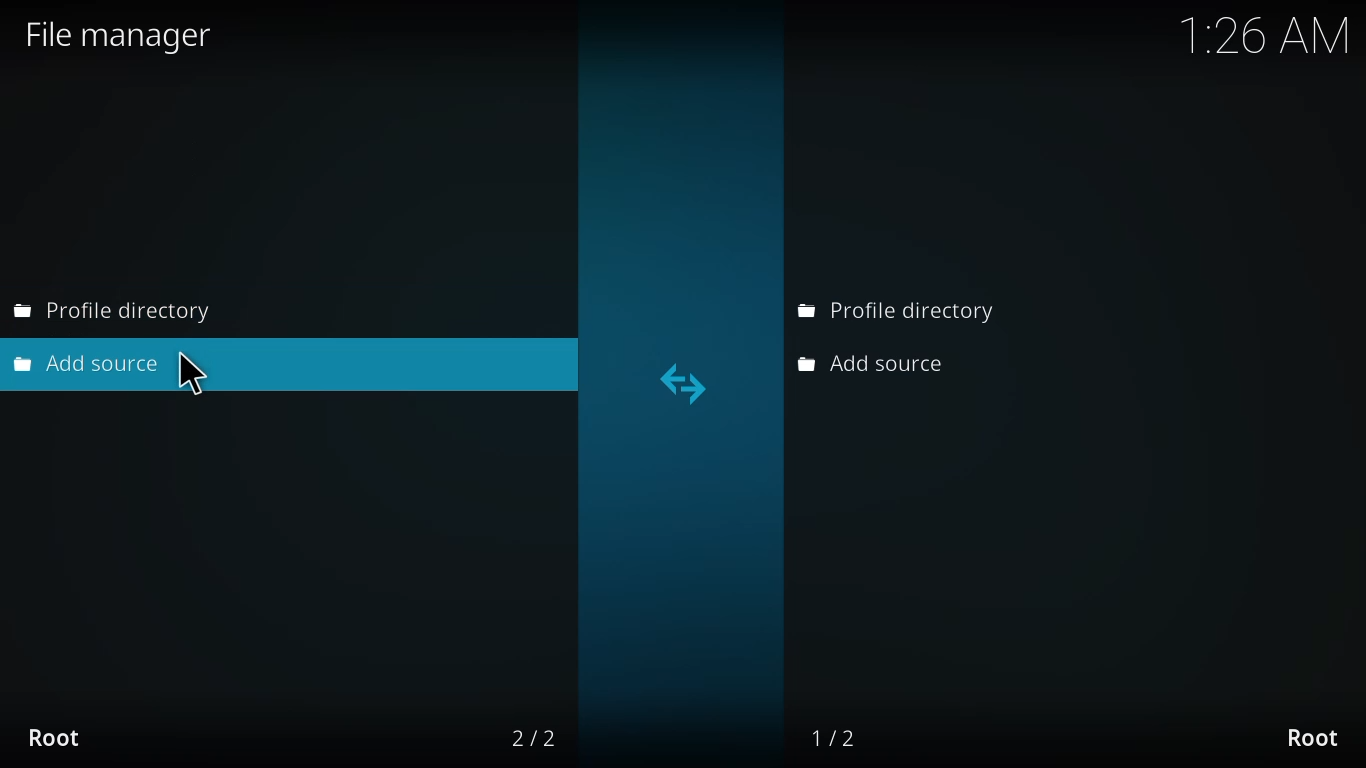 Image resolution: width=1366 pixels, height=768 pixels. Describe the element at coordinates (683, 381) in the screenshot. I see `<>` at that location.